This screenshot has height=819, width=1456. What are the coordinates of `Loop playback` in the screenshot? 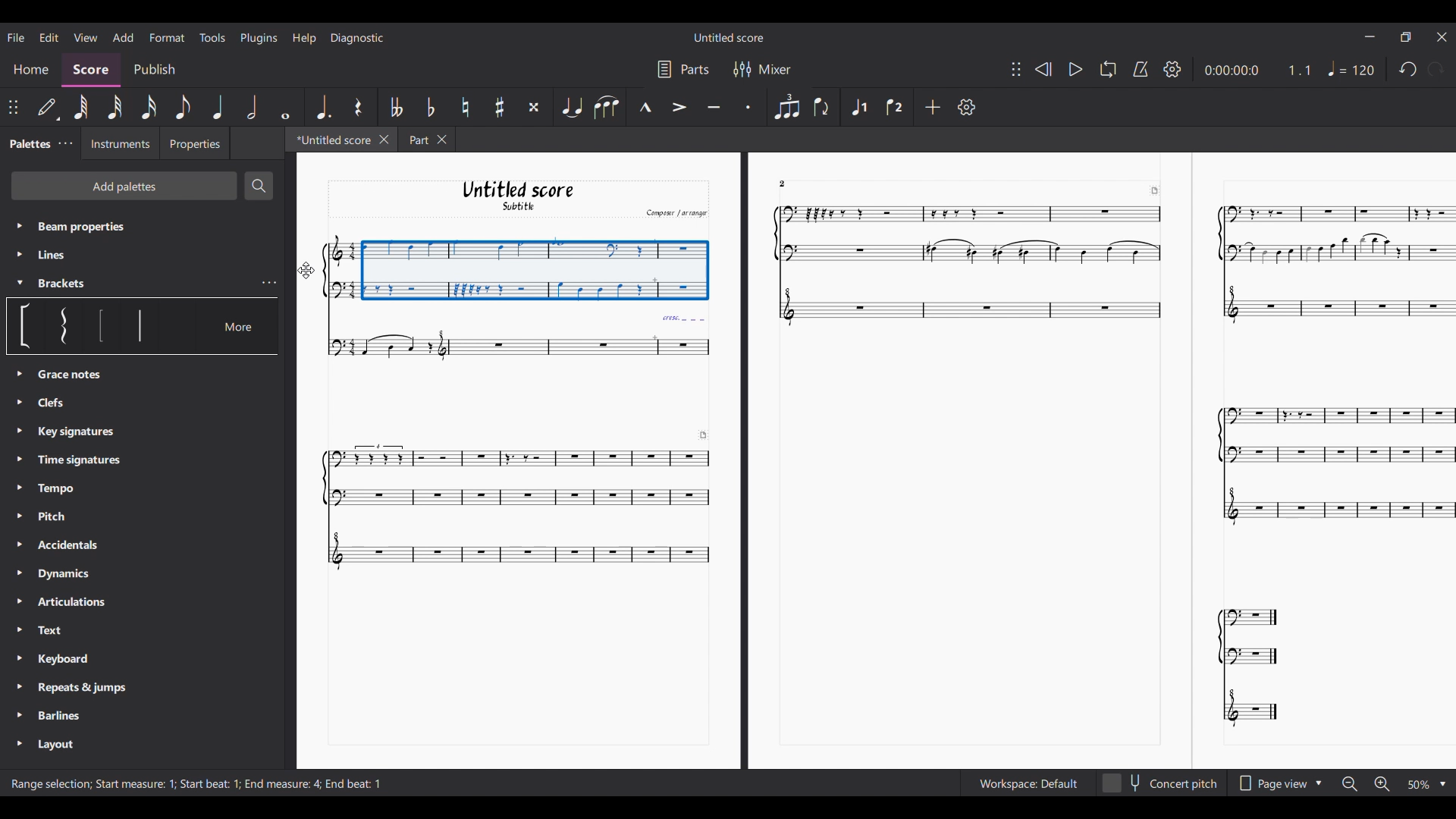 It's located at (1107, 70).